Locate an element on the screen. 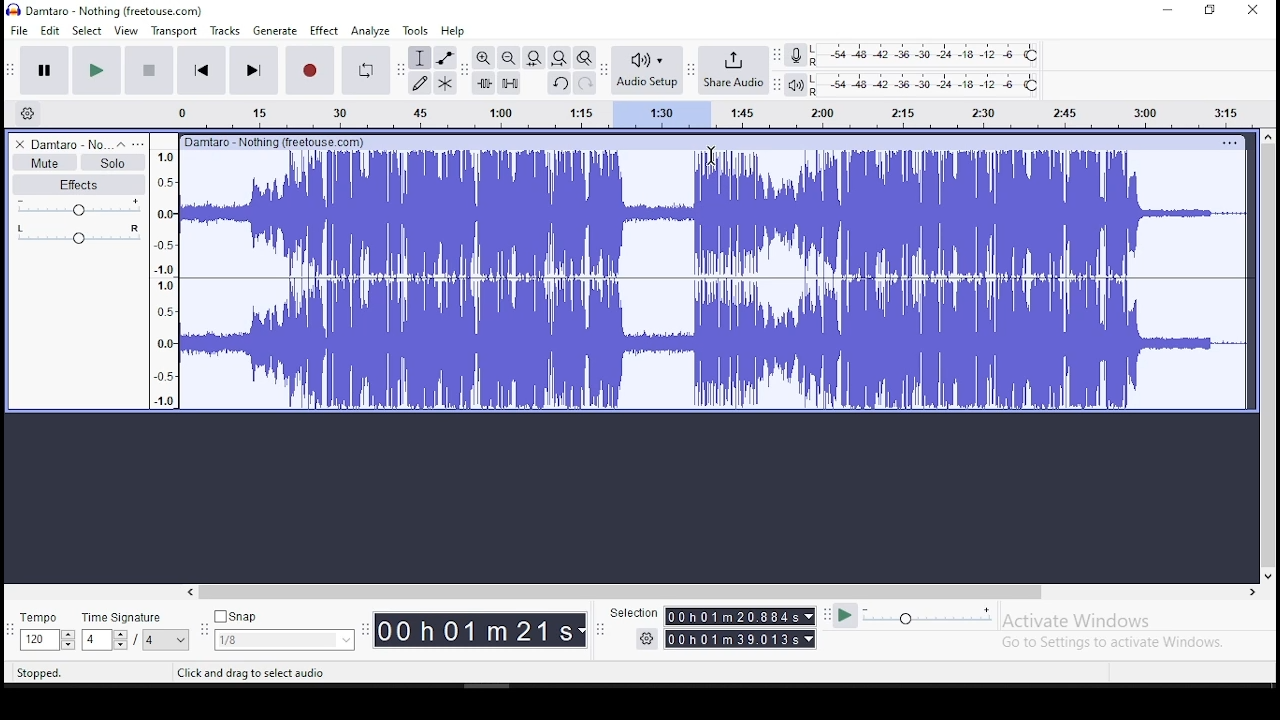 This screenshot has width=1280, height=720. tools is located at coordinates (416, 30).